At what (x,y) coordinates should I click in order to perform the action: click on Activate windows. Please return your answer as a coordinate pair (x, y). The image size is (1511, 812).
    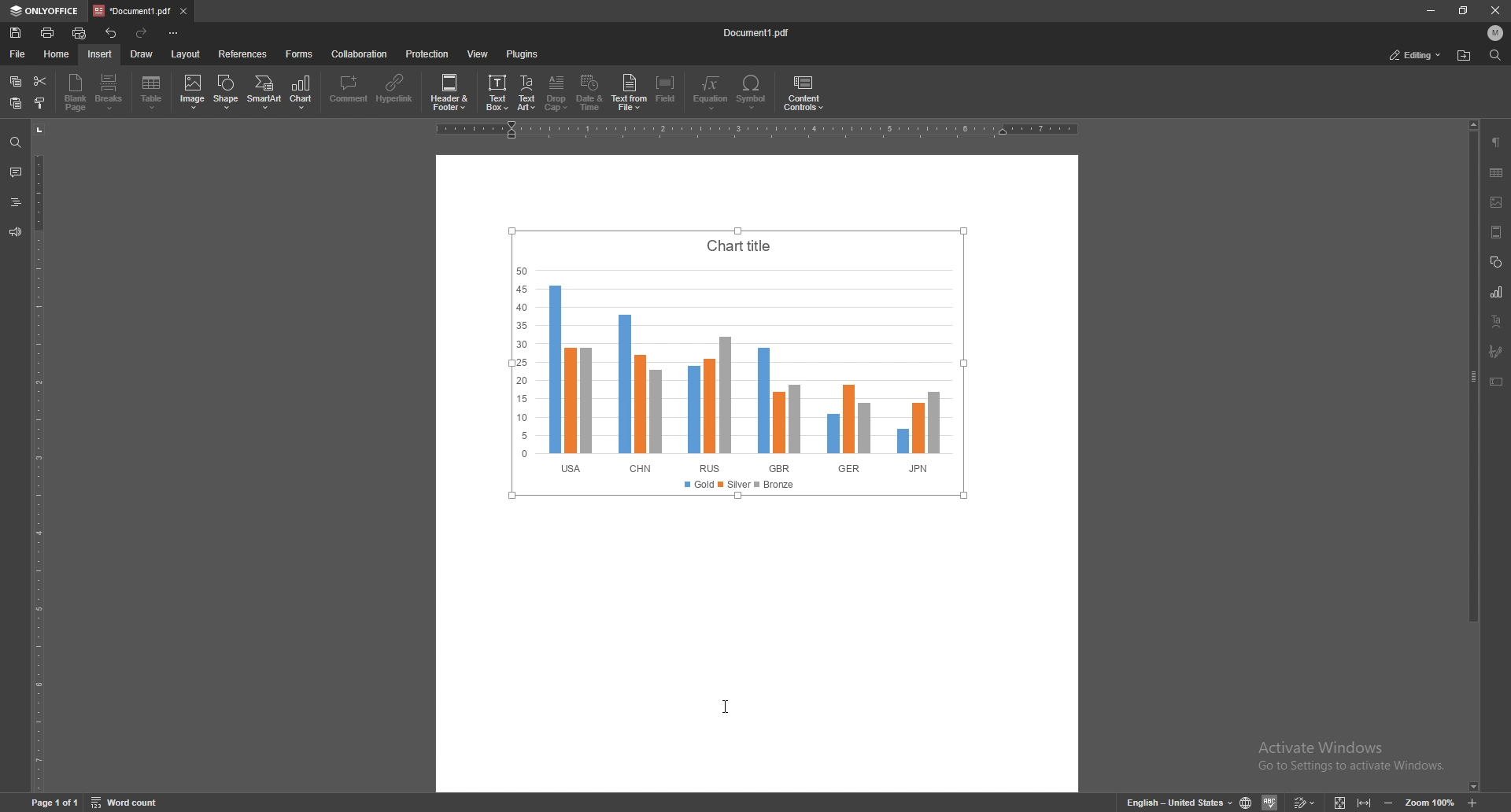
    Looking at the image, I should click on (1352, 755).